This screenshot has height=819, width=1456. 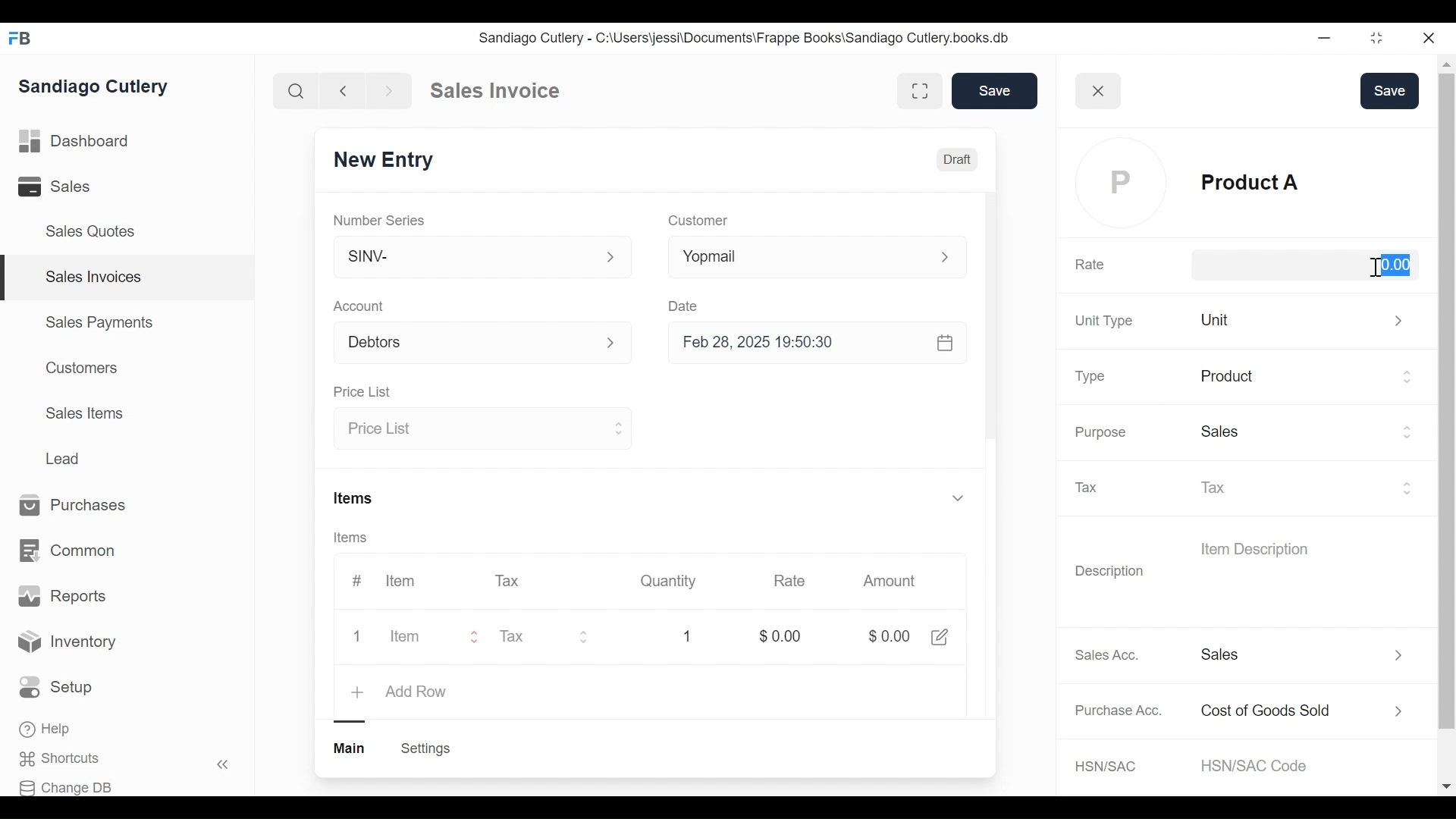 What do you see at coordinates (742, 37) in the screenshot?
I see `Sandiago Cutlery - C:\Users\jessi\Documents\Frappe Books\Sandiago Cutlery.books.db` at bounding box center [742, 37].